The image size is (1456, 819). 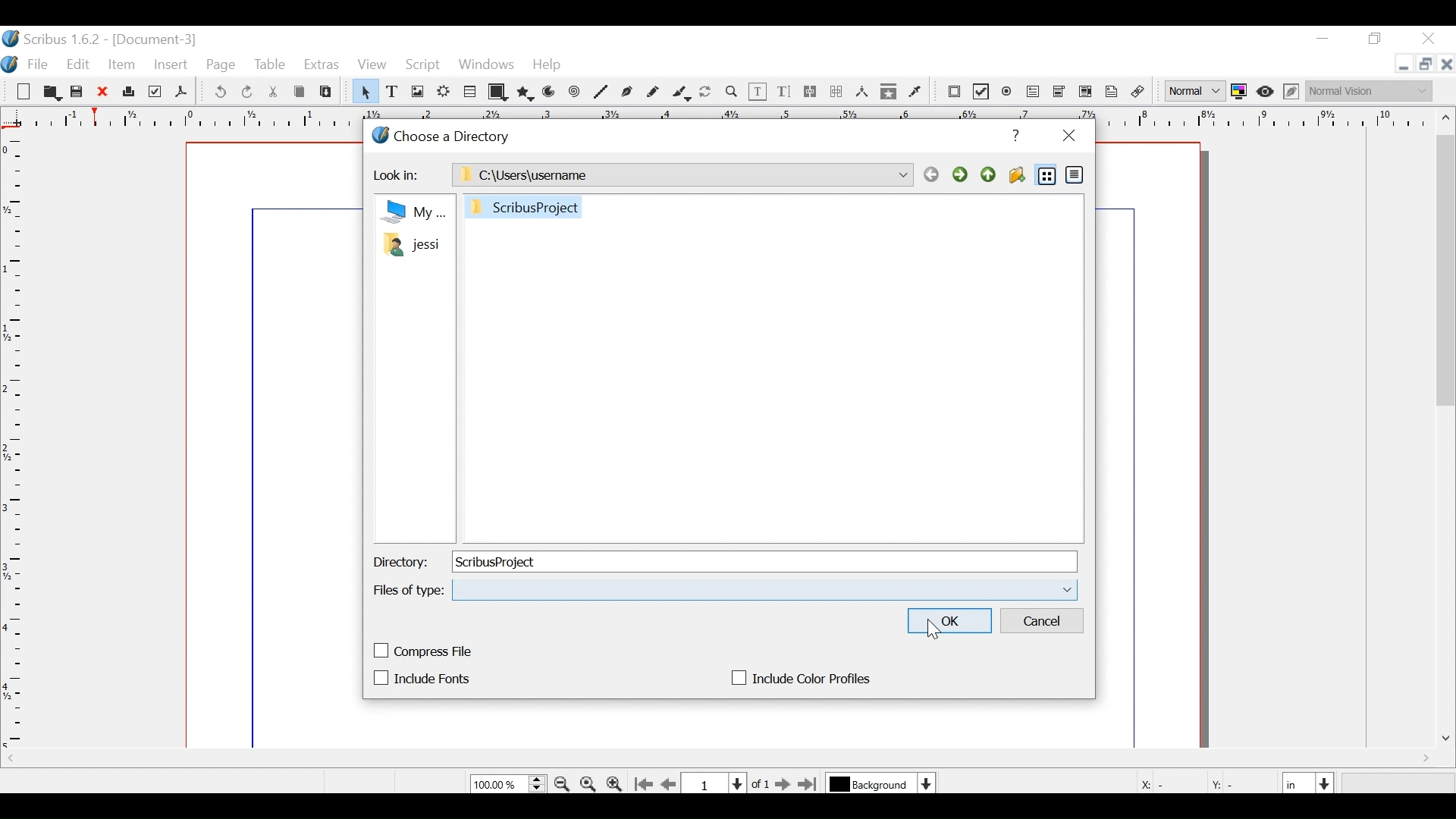 What do you see at coordinates (954, 93) in the screenshot?
I see `PDF push Editor` at bounding box center [954, 93].